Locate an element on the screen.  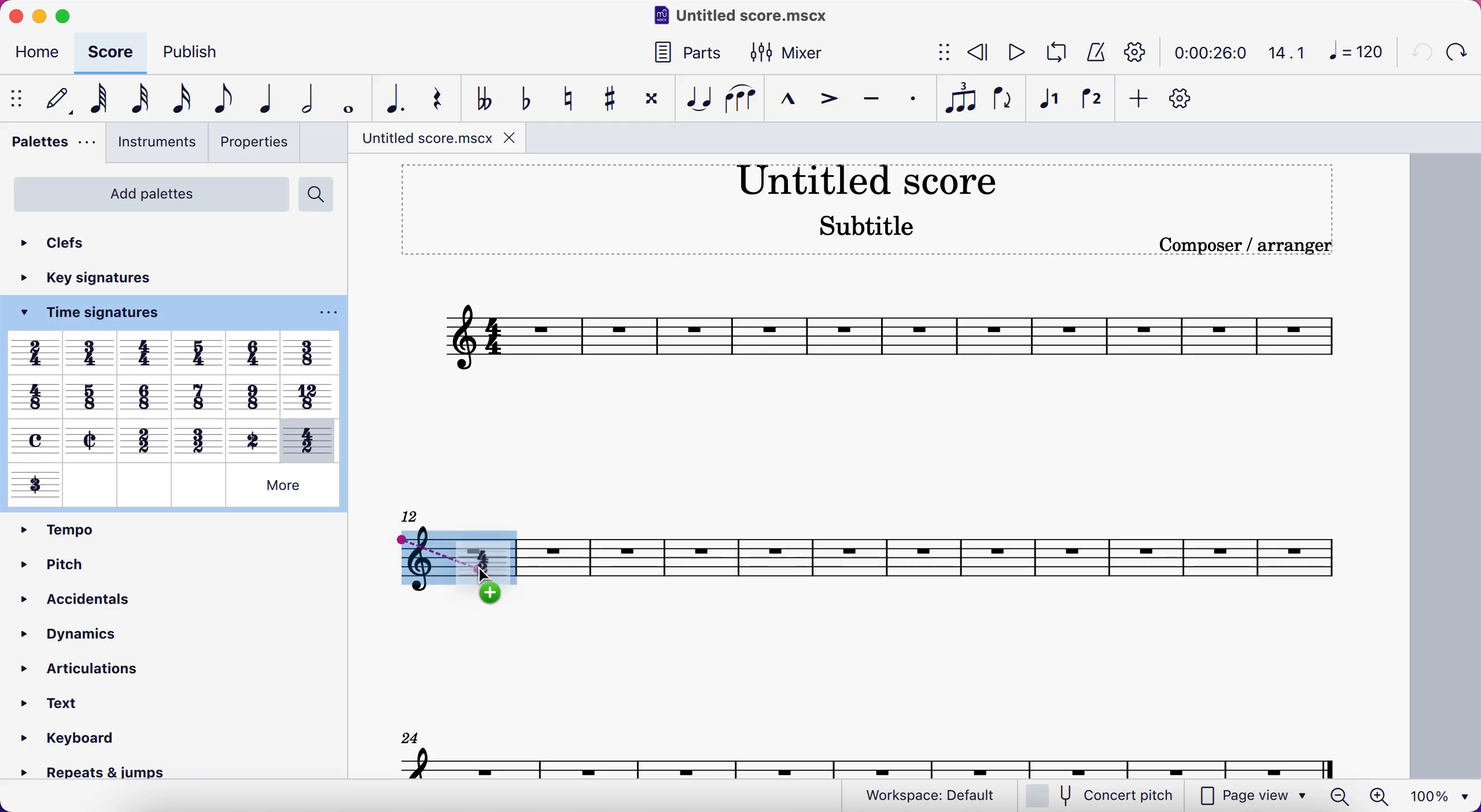
Subtitle is located at coordinates (868, 223).